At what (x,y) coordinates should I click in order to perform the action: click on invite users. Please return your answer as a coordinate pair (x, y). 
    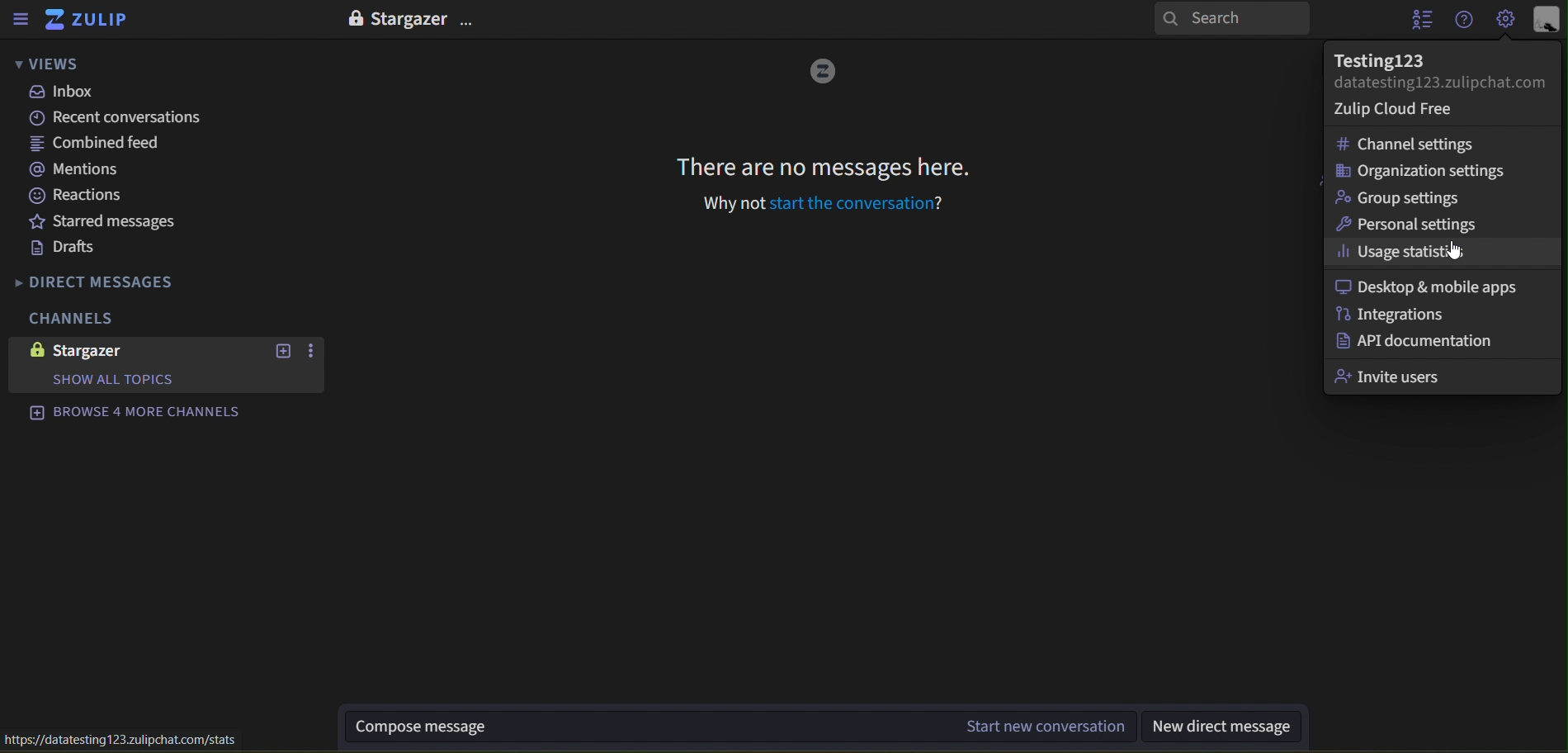
    Looking at the image, I should click on (1391, 375).